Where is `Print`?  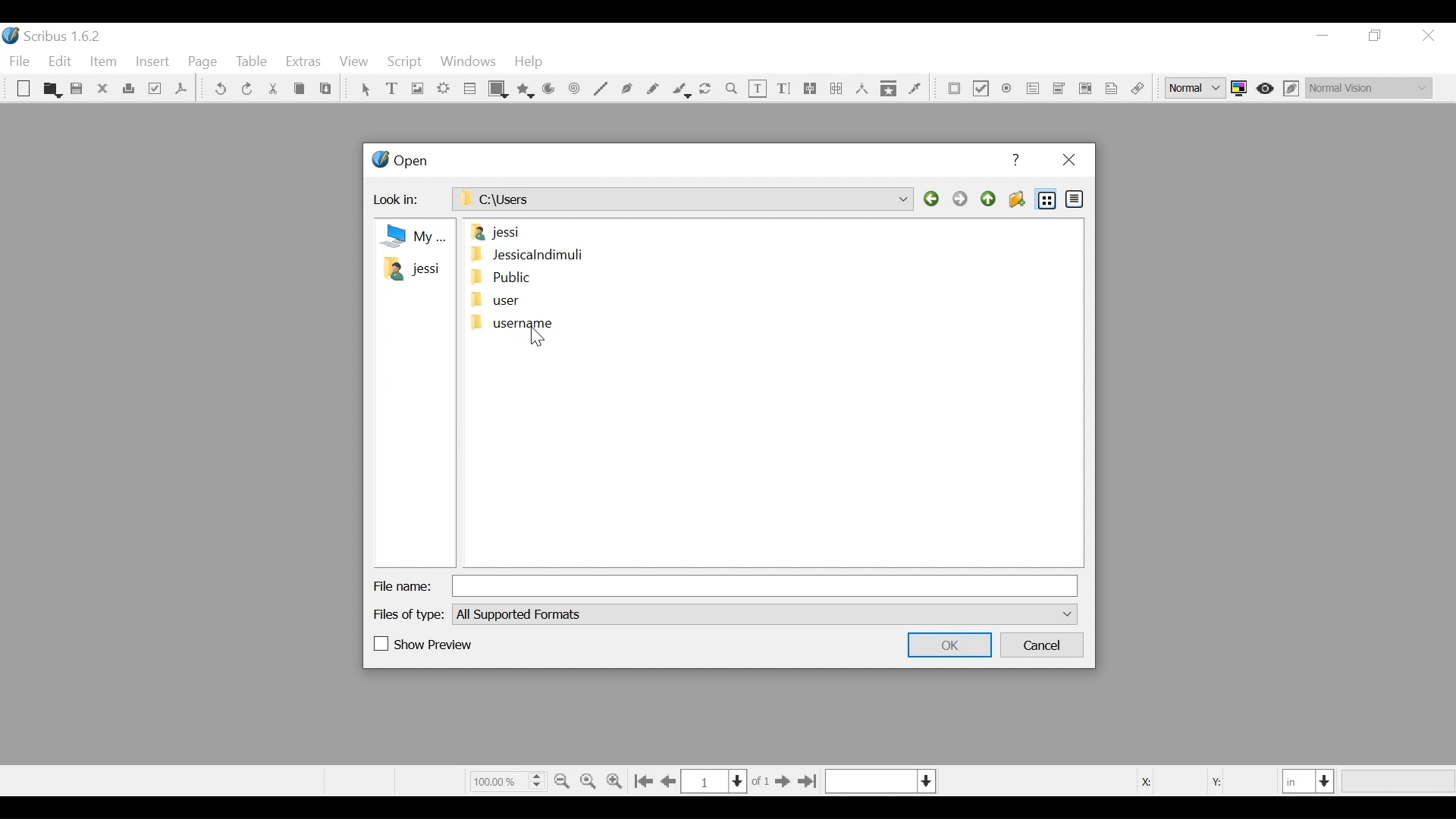 Print is located at coordinates (129, 89).